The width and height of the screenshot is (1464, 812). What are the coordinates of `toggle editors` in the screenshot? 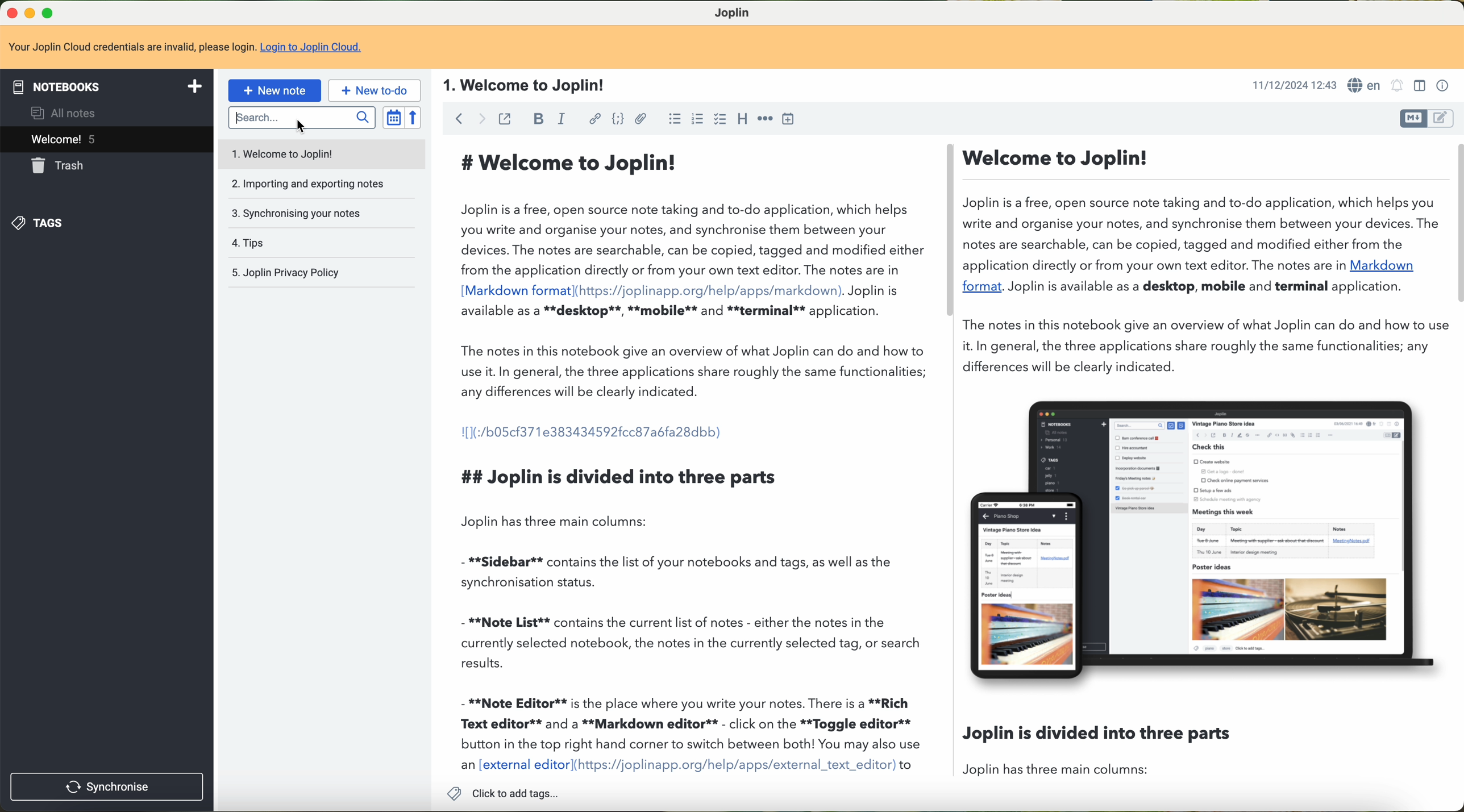 It's located at (1413, 119).